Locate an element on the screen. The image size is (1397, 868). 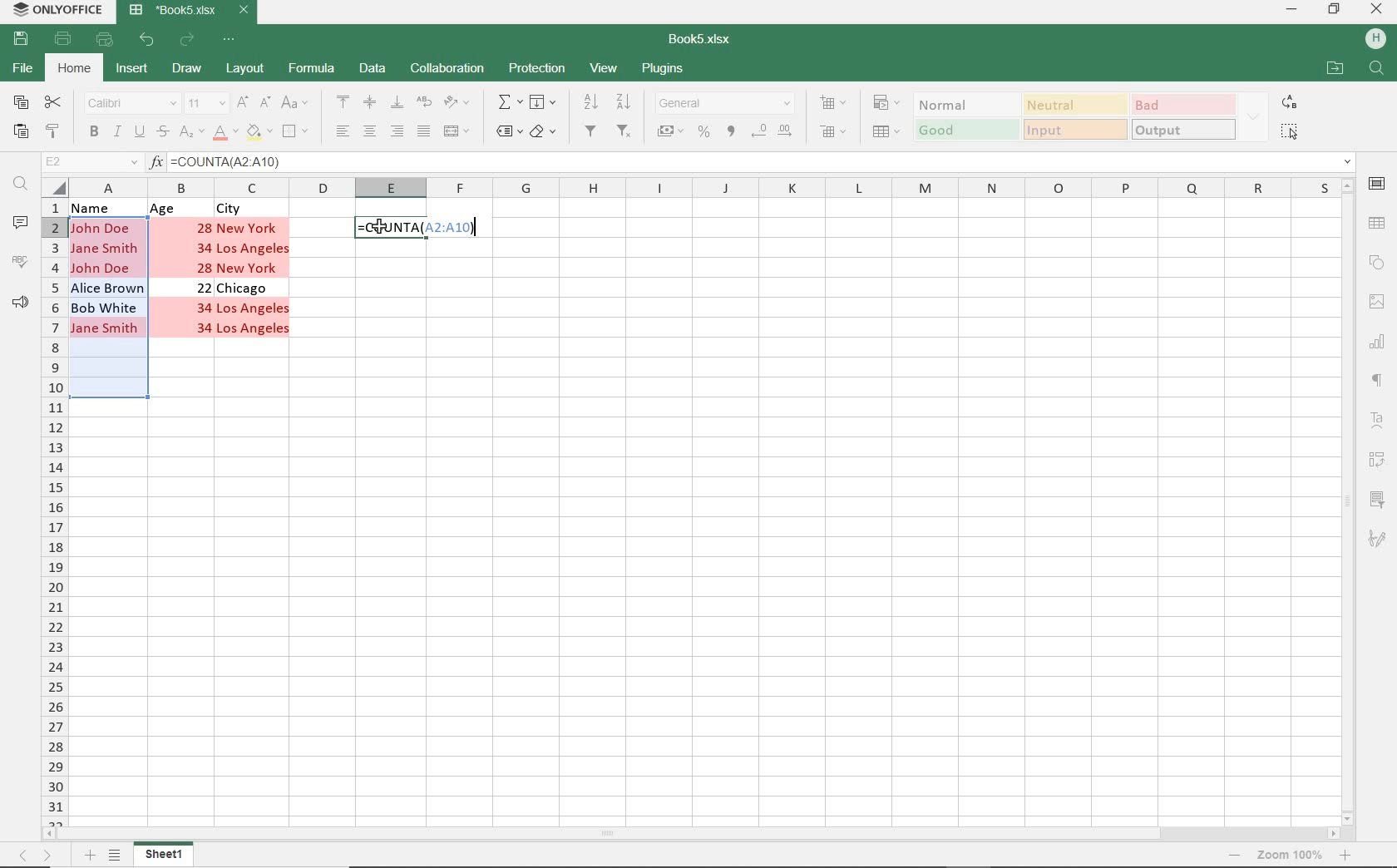
MINIMIZE is located at coordinates (1291, 8).